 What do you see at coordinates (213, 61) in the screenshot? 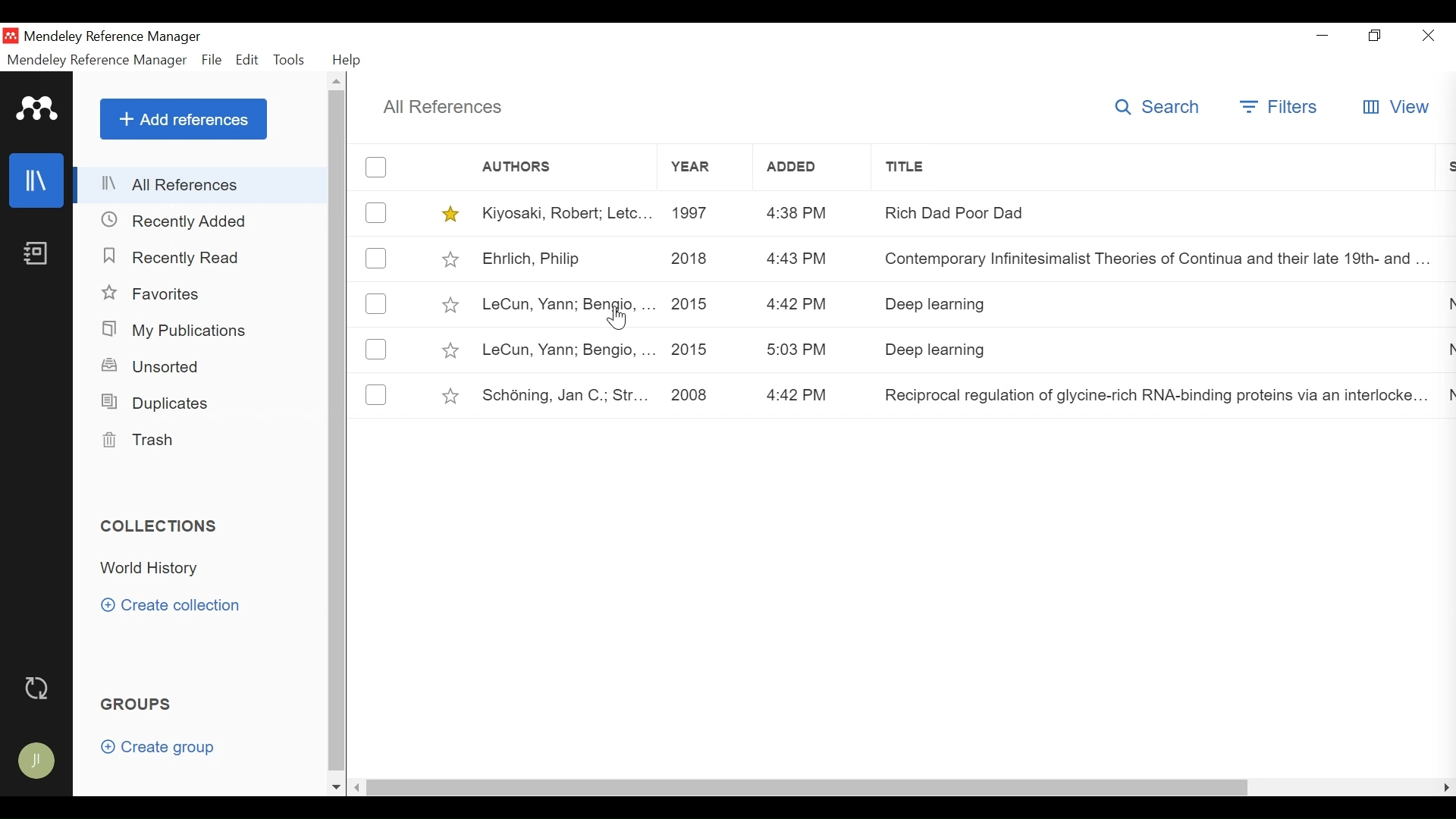
I see `File` at bounding box center [213, 61].